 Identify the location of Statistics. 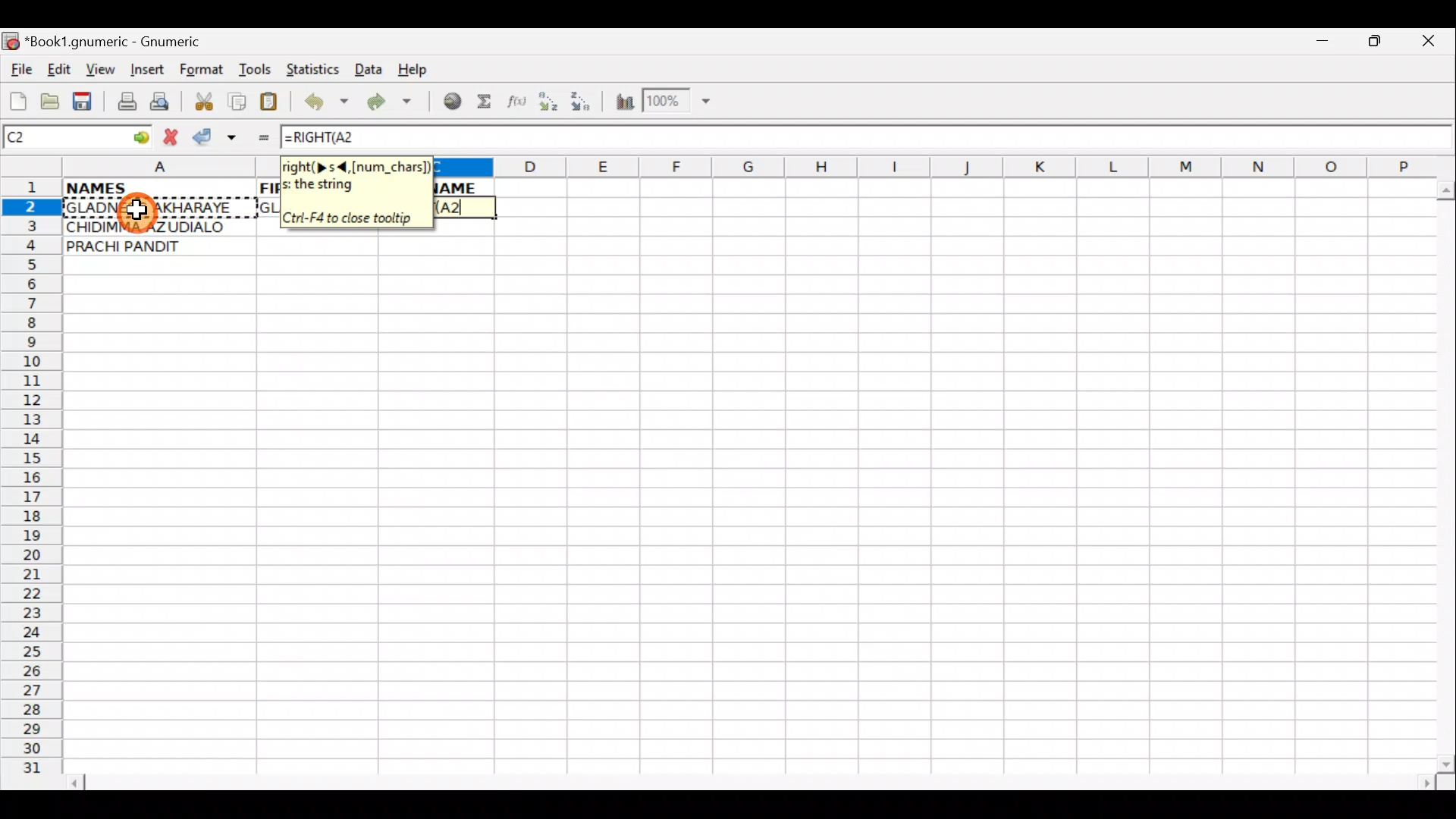
(317, 68).